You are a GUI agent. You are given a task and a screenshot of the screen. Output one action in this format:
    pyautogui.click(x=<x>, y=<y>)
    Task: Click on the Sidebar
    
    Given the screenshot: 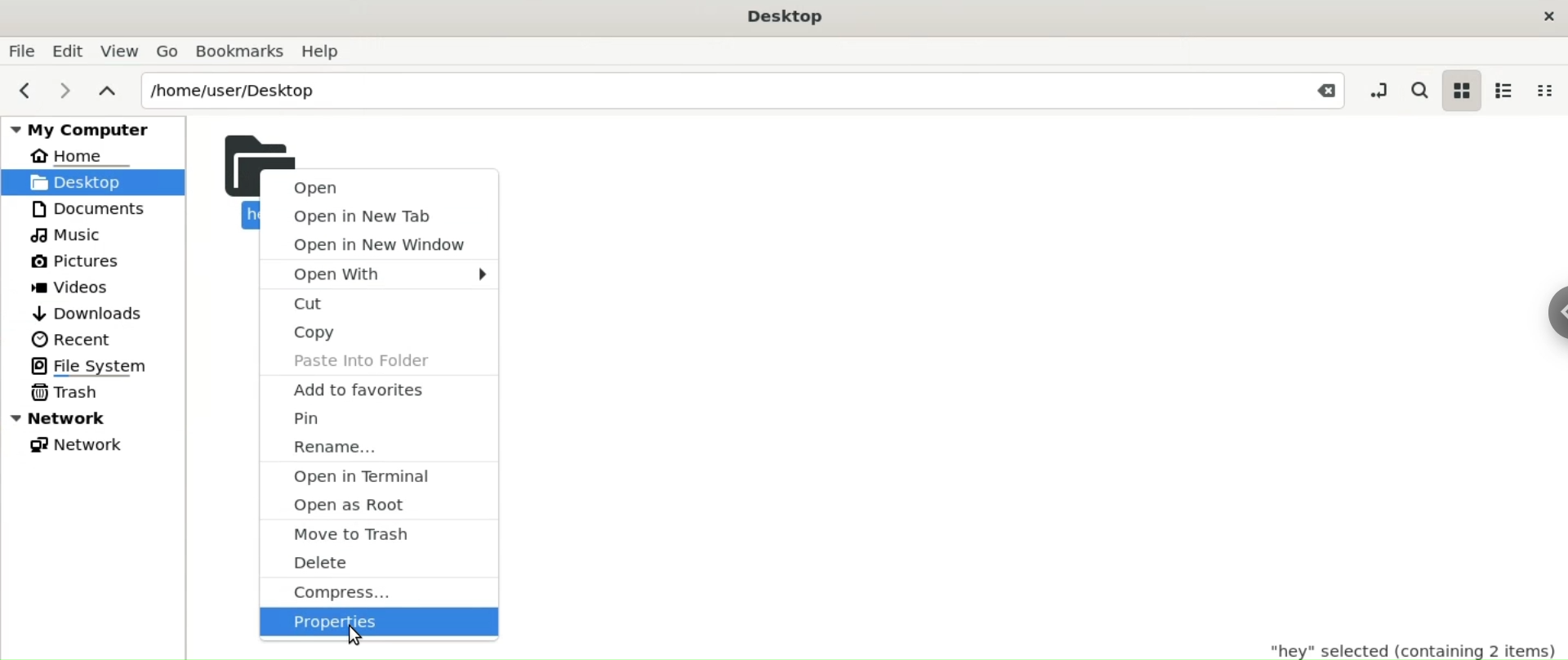 What is the action you would take?
    pyautogui.click(x=1549, y=305)
    